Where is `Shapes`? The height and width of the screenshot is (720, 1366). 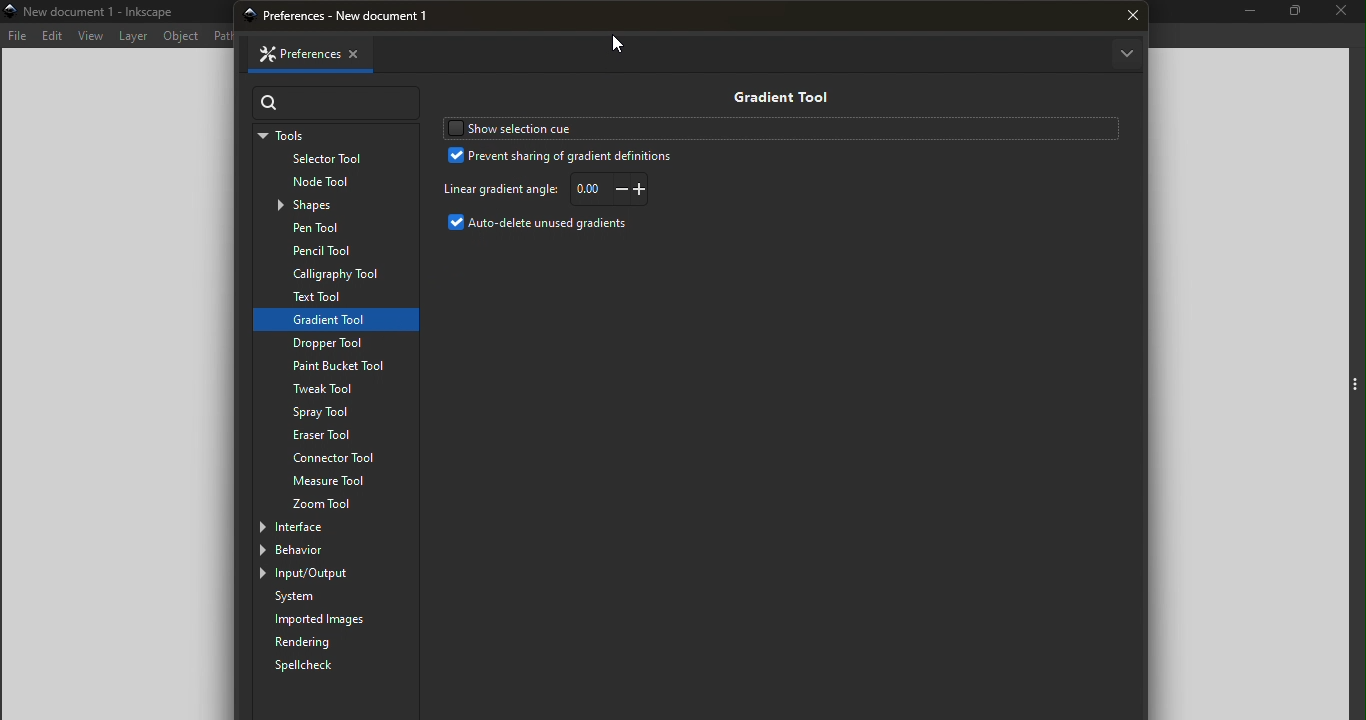 Shapes is located at coordinates (341, 206).